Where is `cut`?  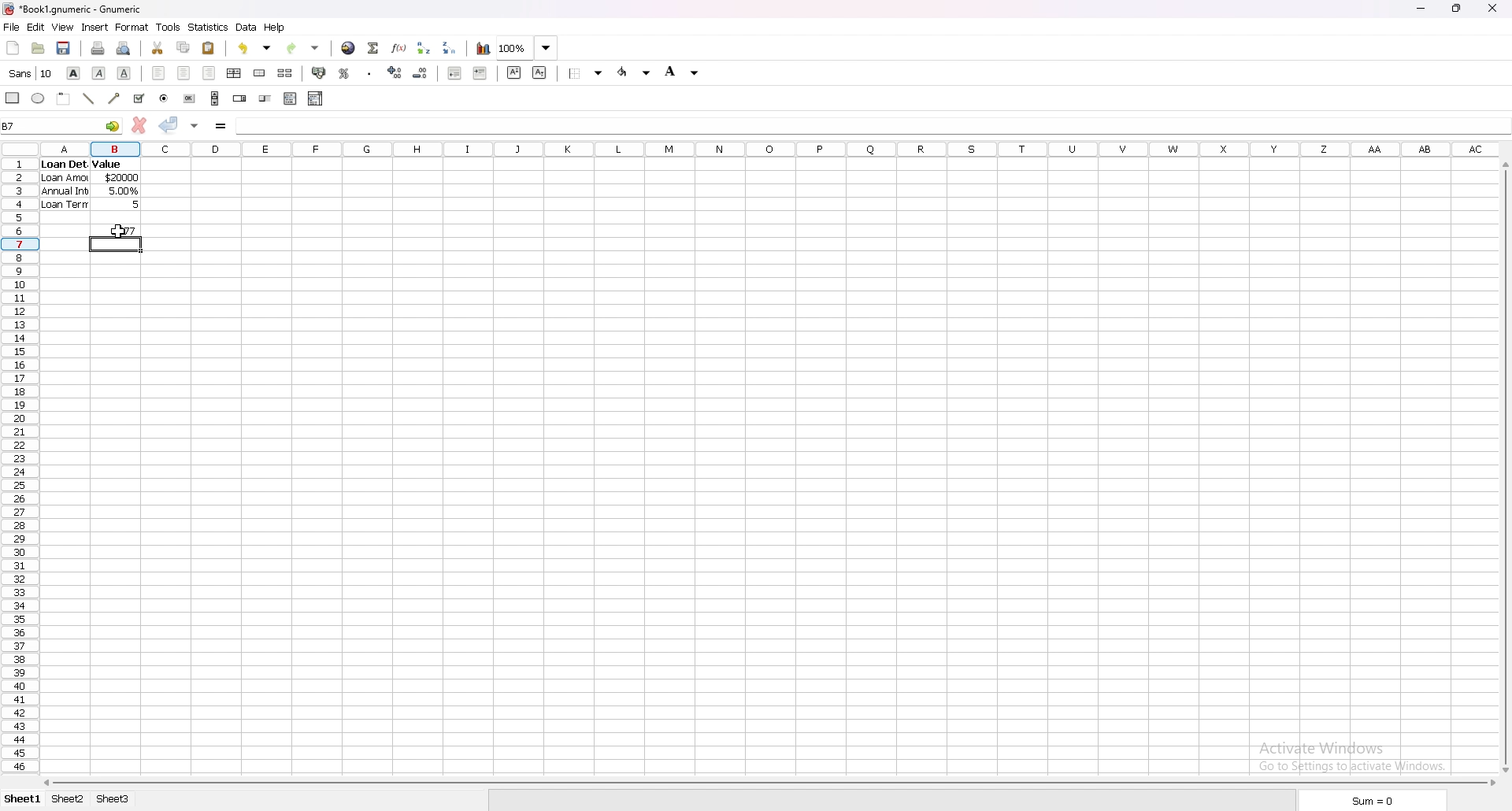 cut is located at coordinates (157, 47).